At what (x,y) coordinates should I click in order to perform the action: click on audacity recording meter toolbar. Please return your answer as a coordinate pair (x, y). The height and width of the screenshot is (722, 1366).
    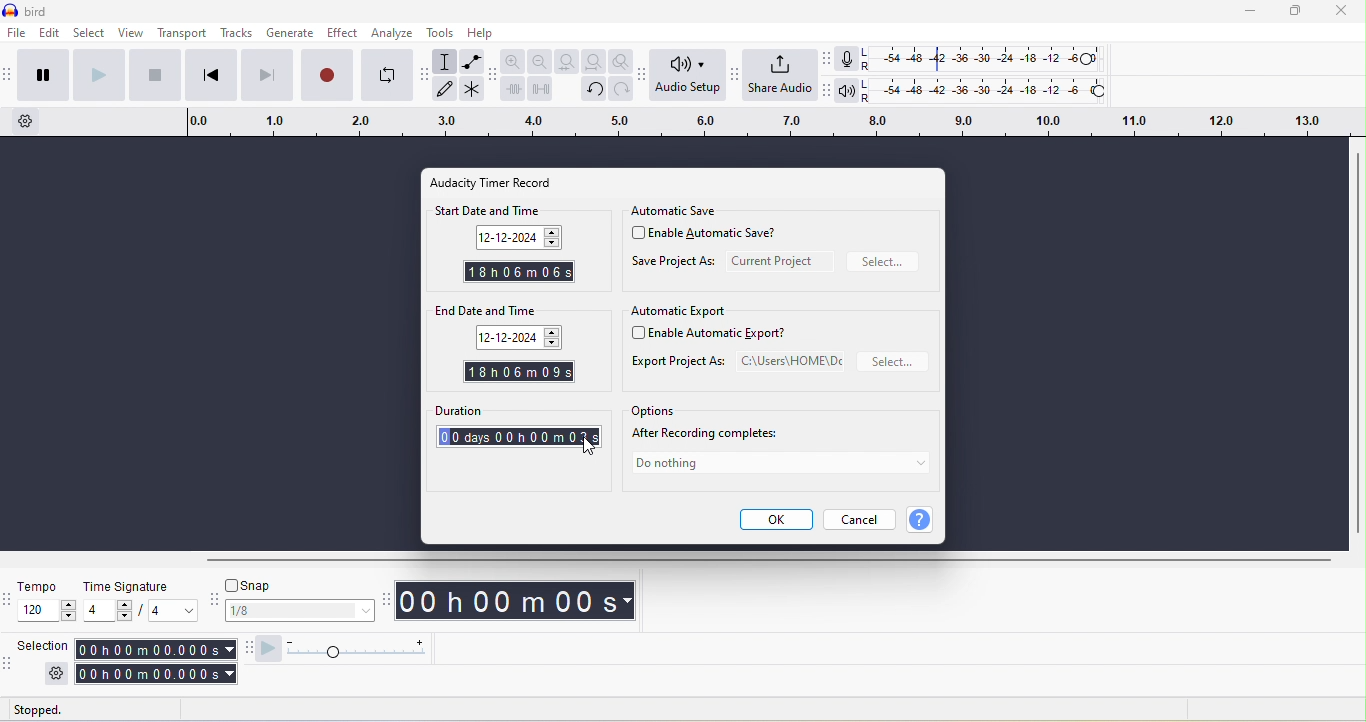
    Looking at the image, I should click on (825, 59).